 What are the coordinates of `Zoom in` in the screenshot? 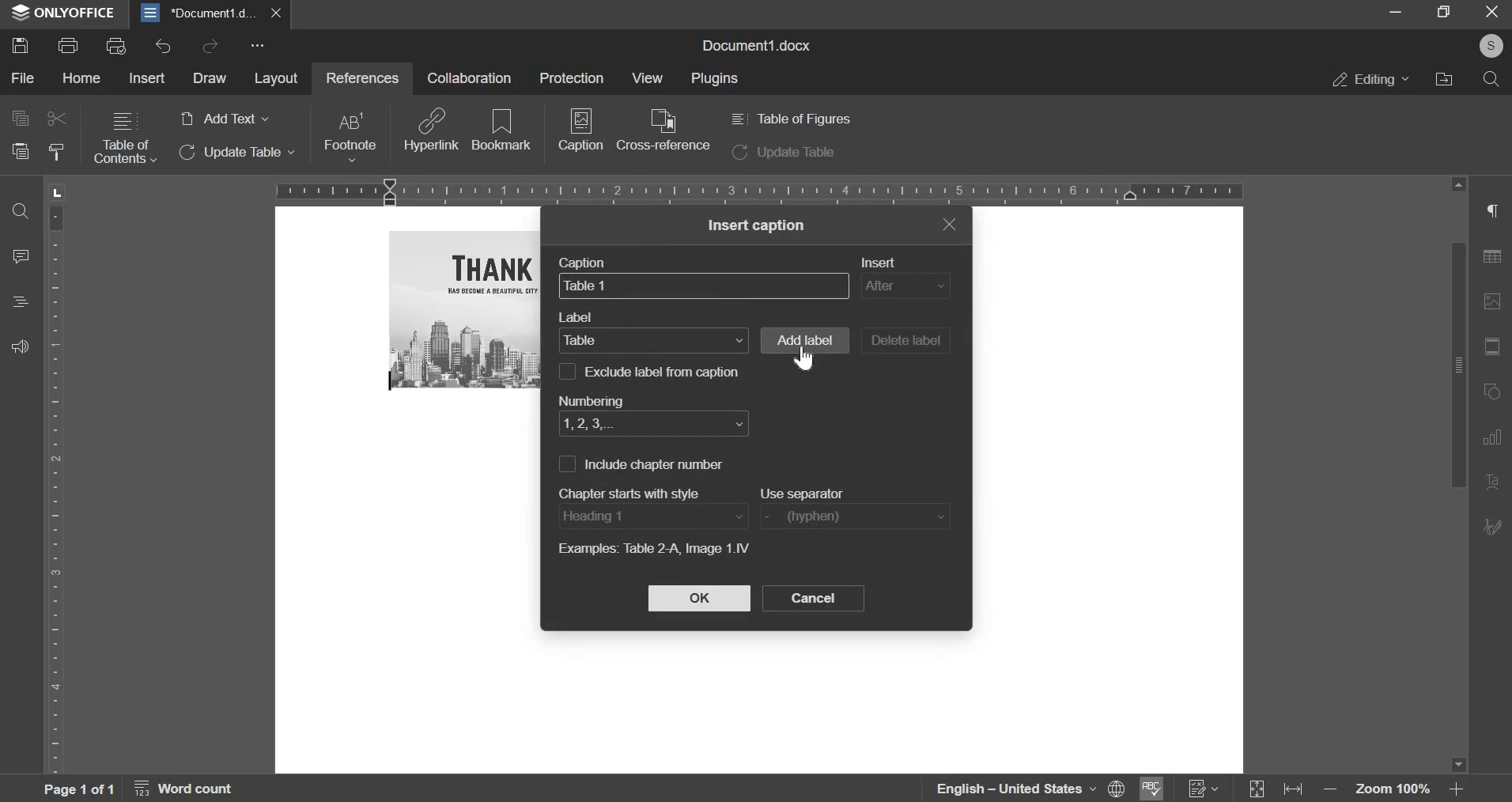 It's located at (1456, 789).